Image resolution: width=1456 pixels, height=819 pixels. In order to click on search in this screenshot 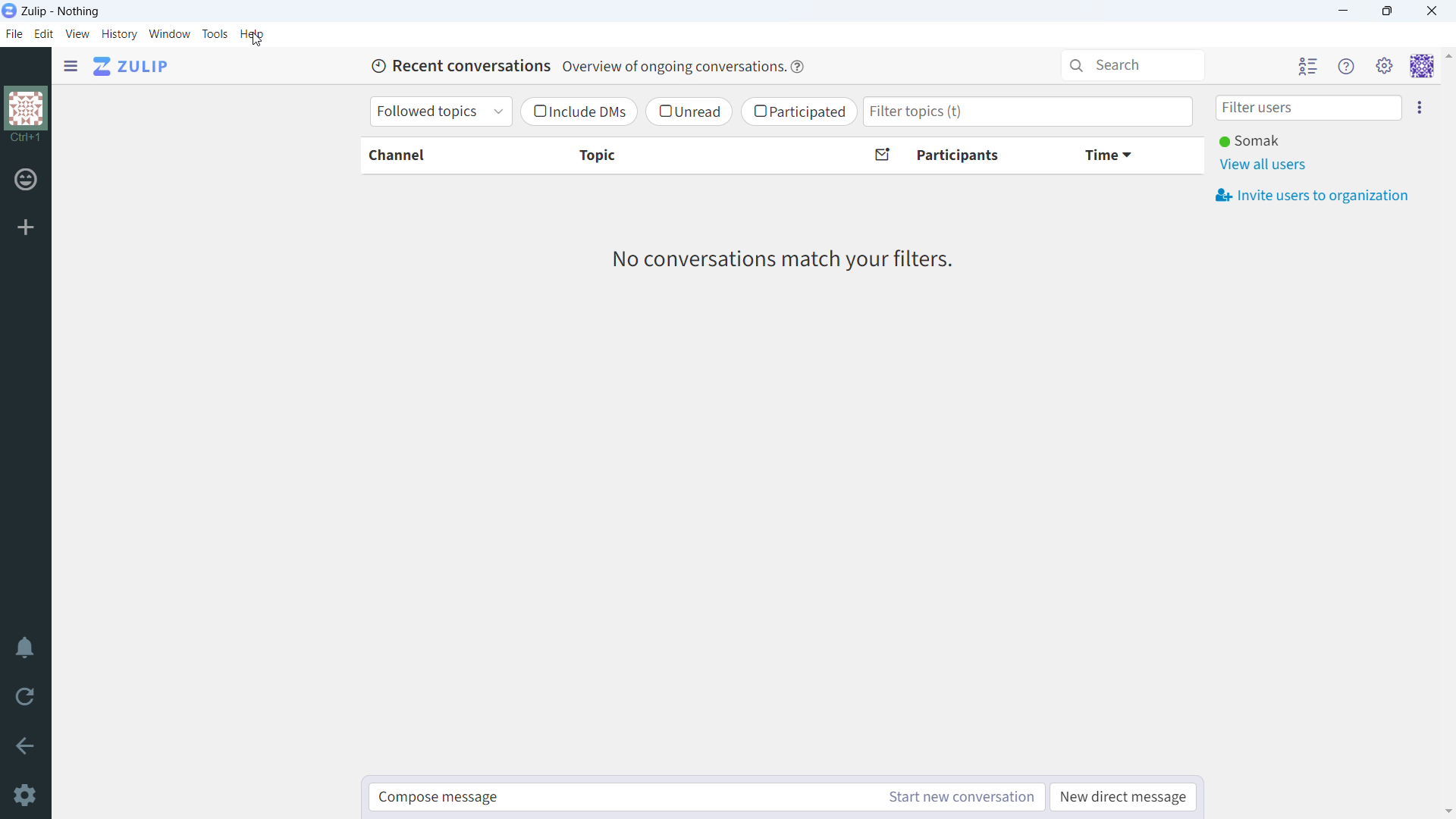, I will do `click(1133, 64)`.